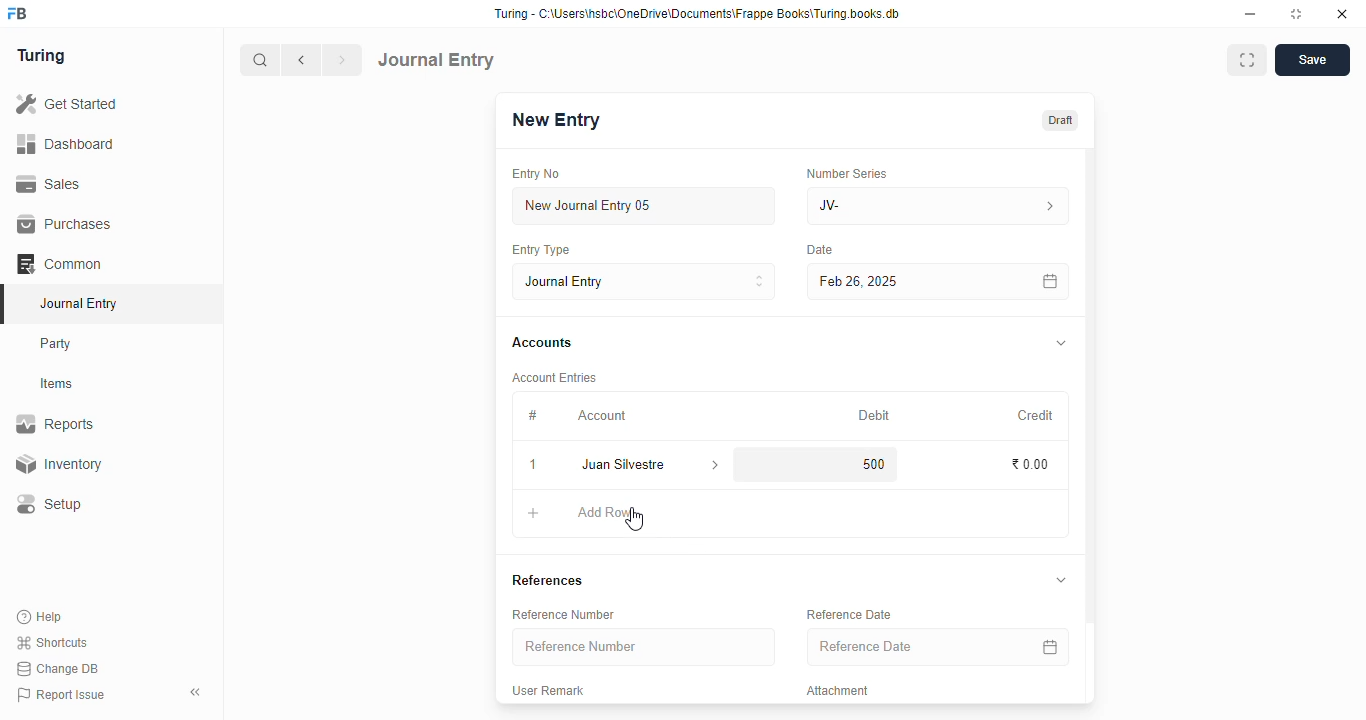  What do you see at coordinates (939, 206) in the screenshot?
I see `JV-` at bounding box center [939, 206].